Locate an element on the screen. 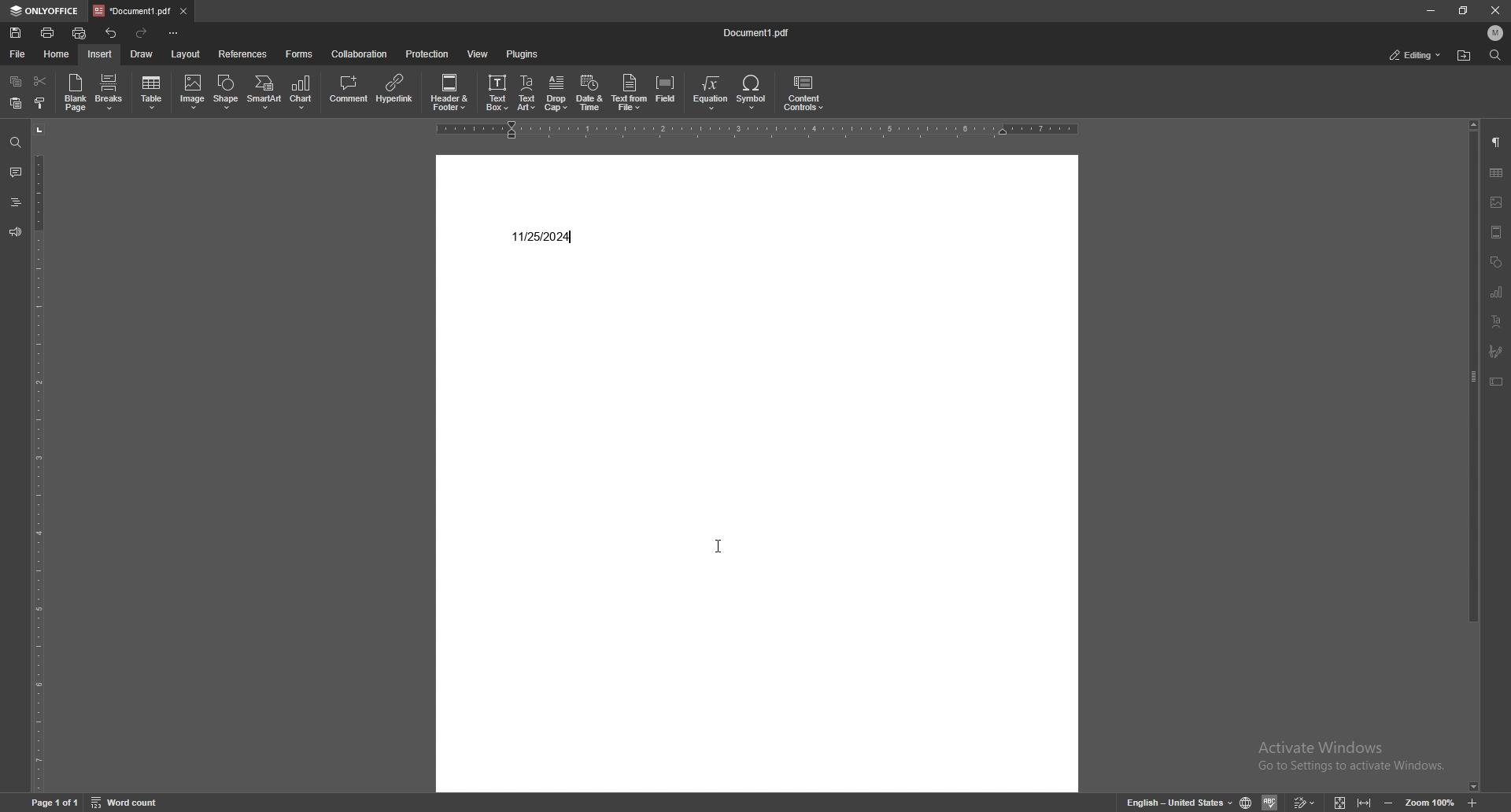  spell check is located at coordinates (1269, 802).